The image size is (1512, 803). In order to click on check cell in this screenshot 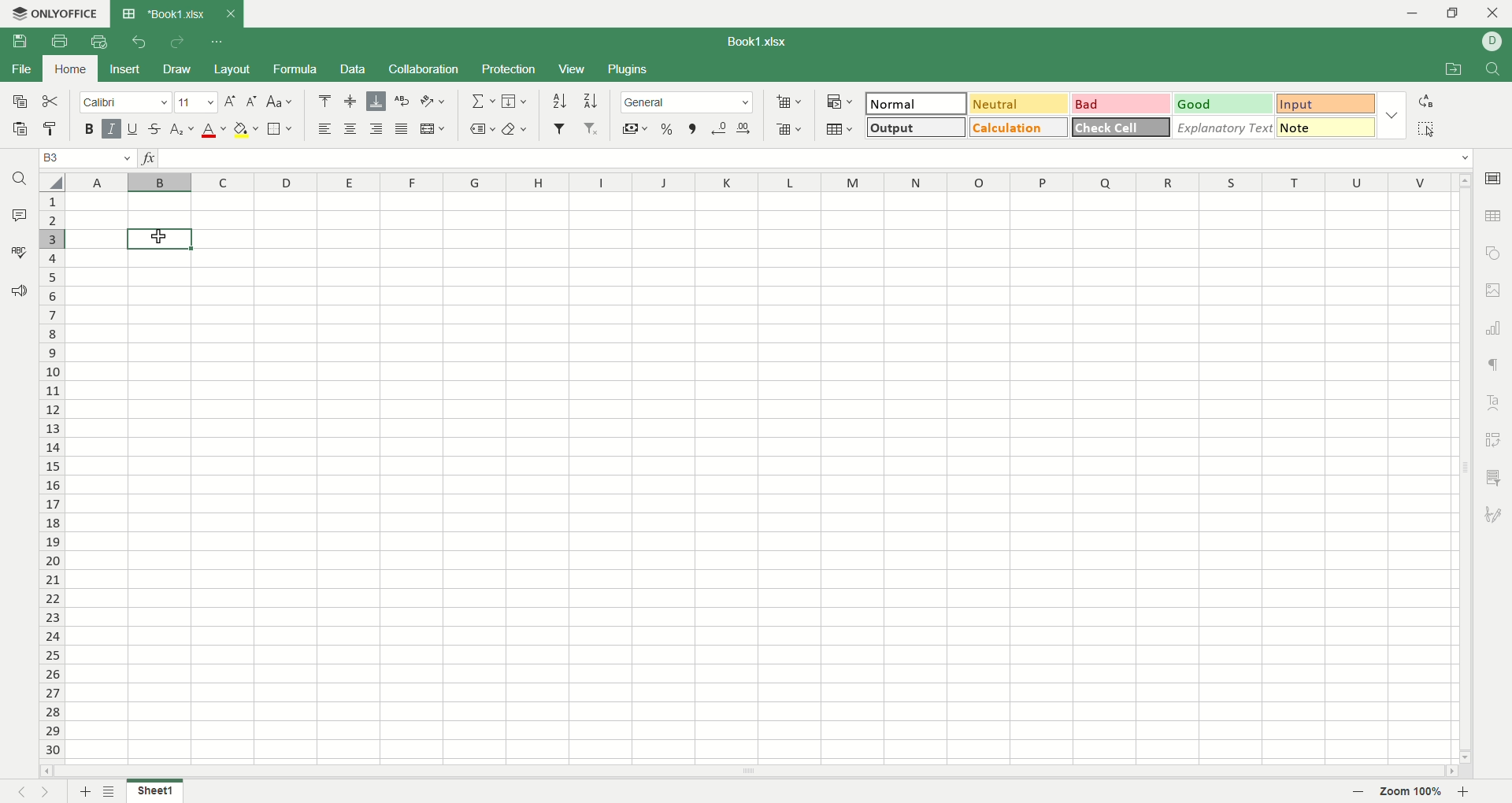, I will do `click(1121, 128)`.